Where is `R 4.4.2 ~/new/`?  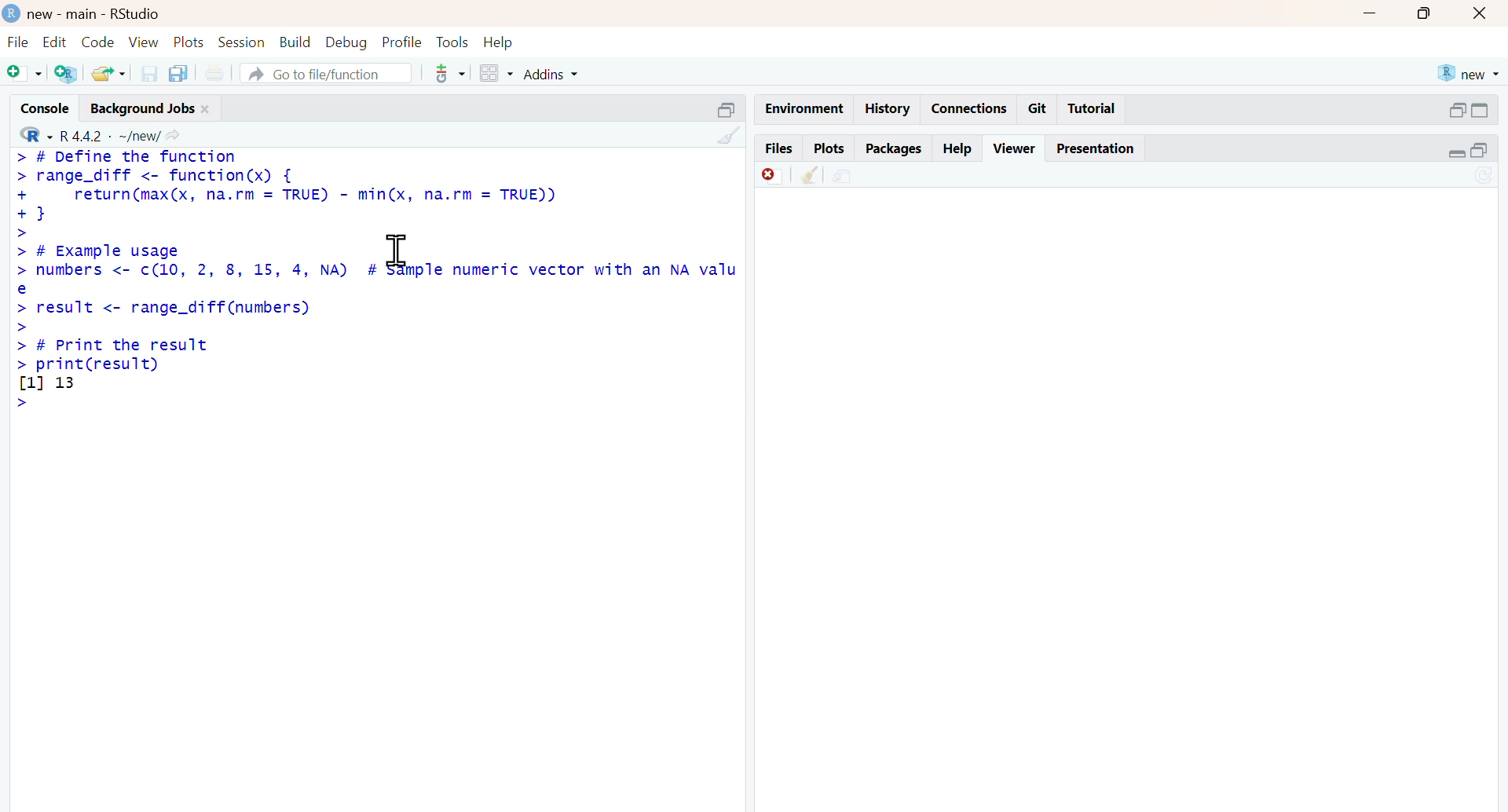
R 4.4.2 ~/new/ is located at coordinates (110, 135).